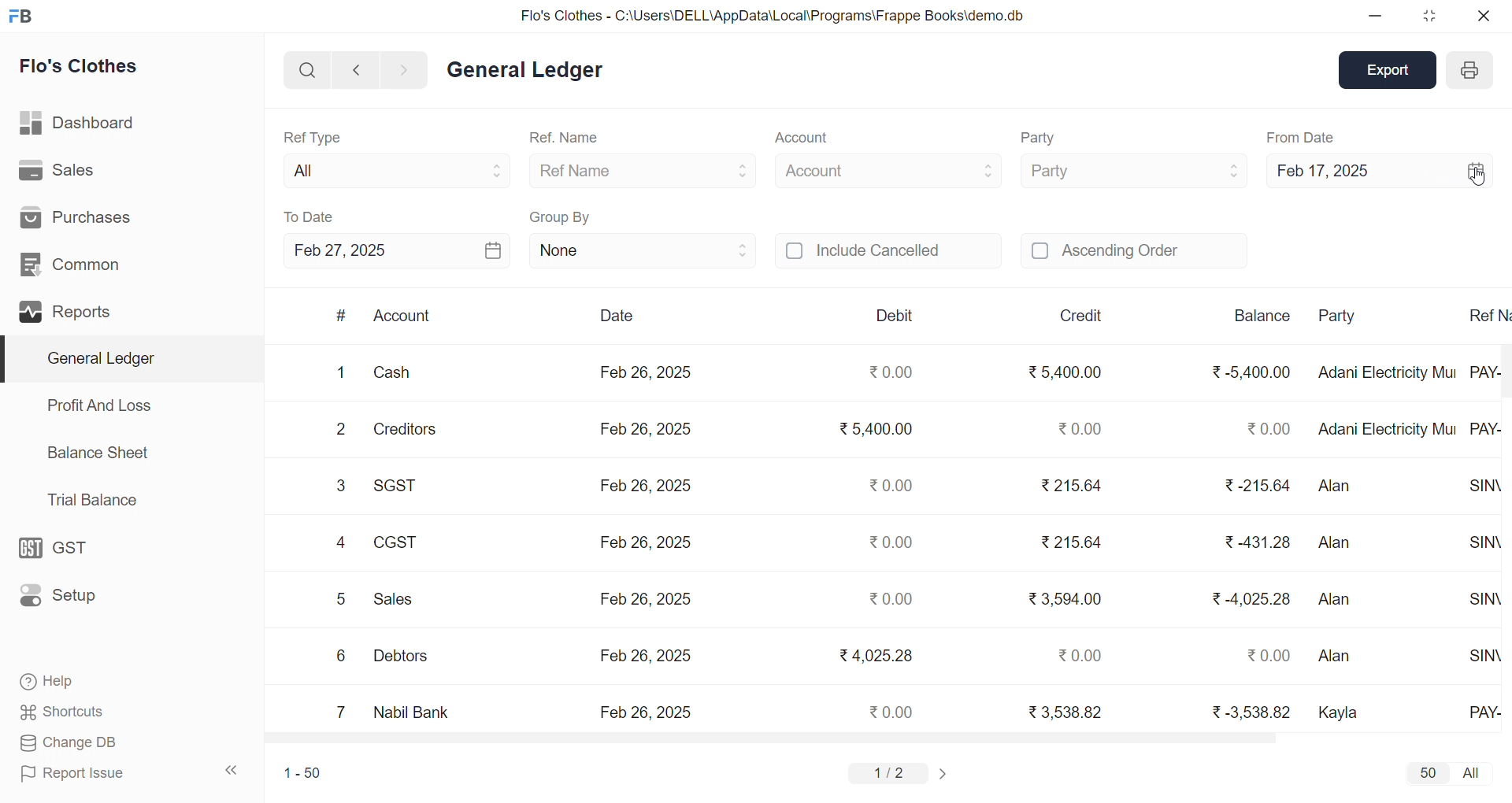 This screenshot has height=803, width=1512. Describe the element at coordinates (310, 216) in the screenshot. I see `To Date` at that location.